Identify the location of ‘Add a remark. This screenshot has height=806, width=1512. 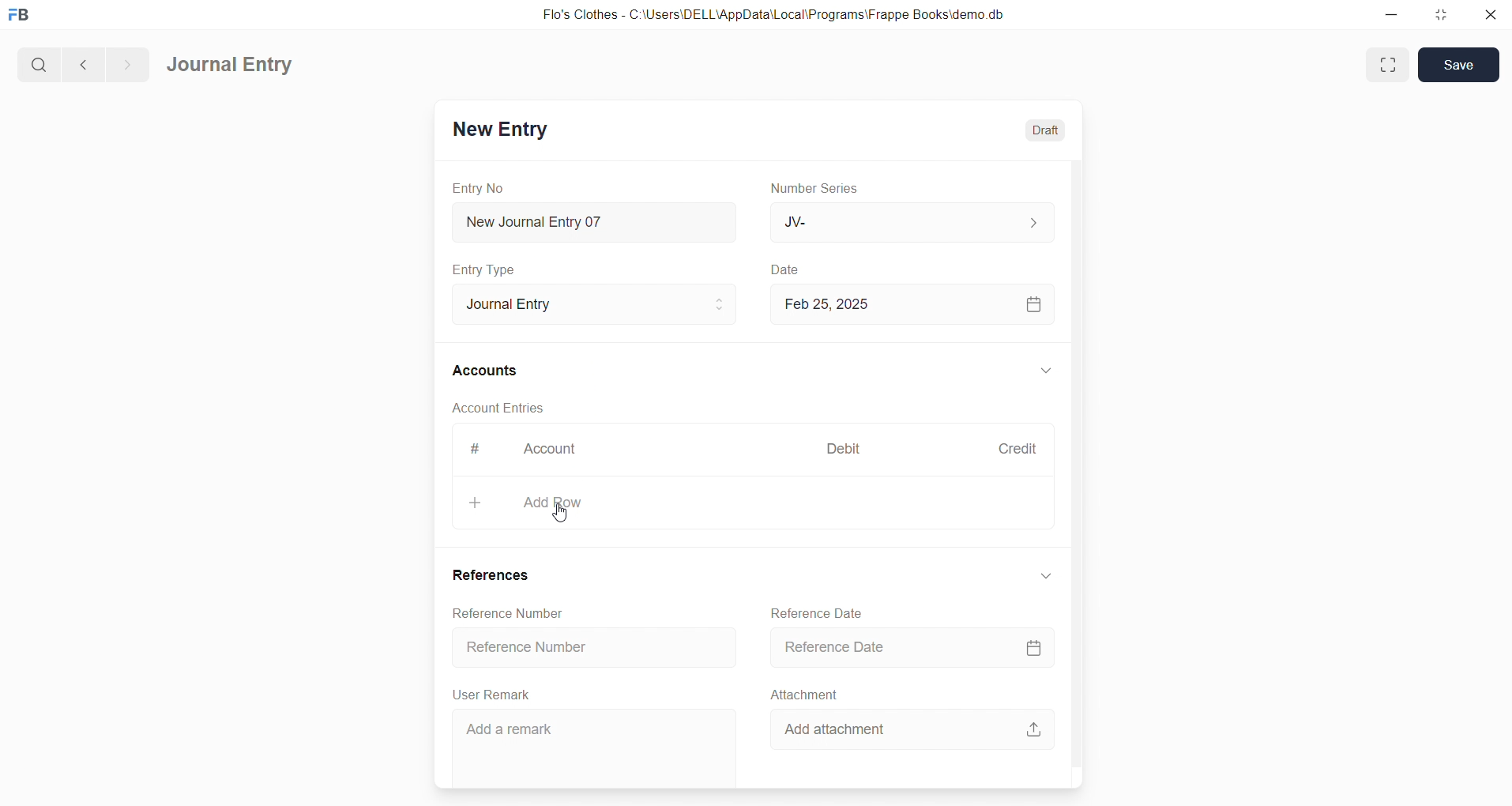
(592, 748).